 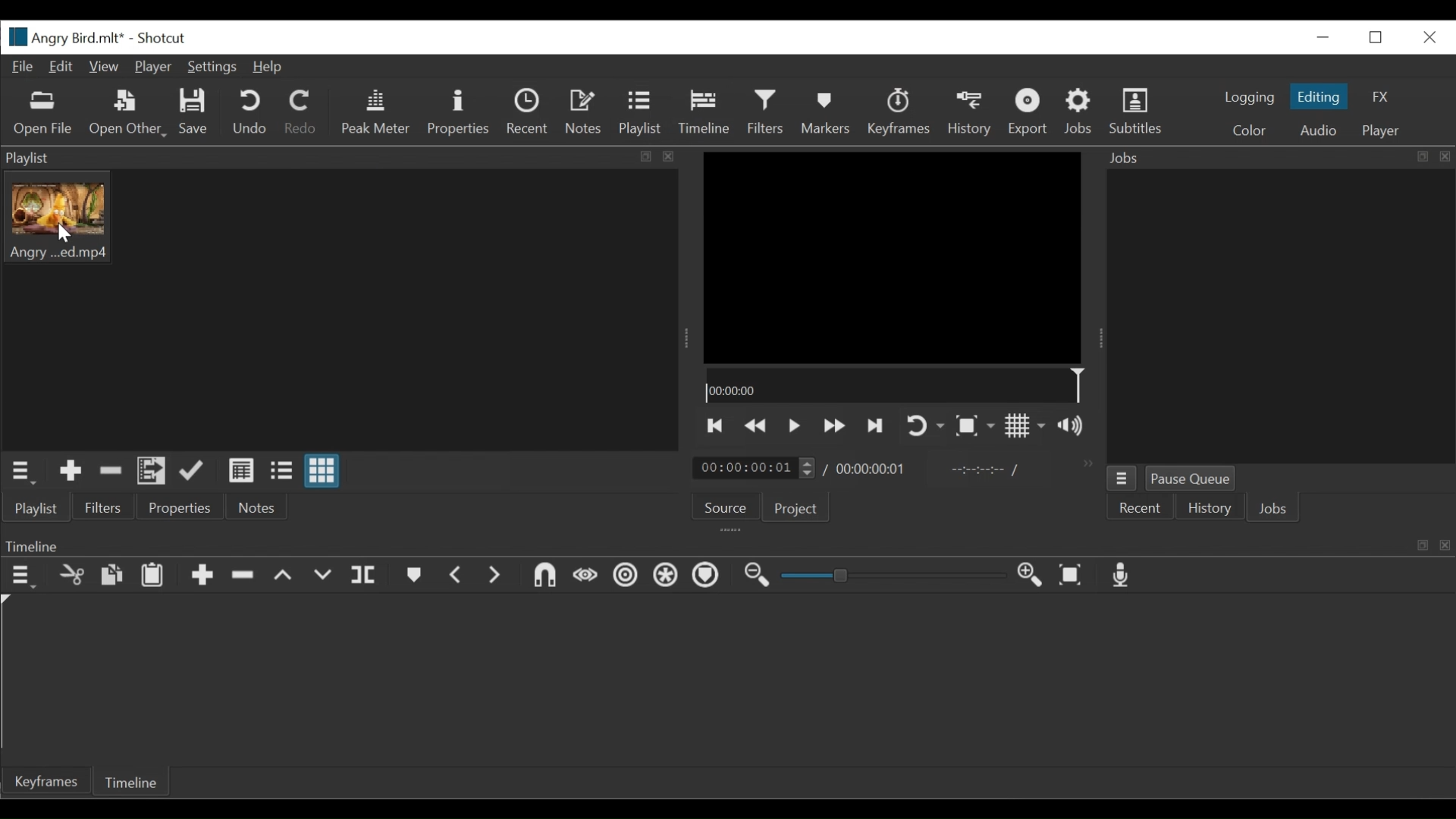 I want to click on Filters, so click(x=767, y=111).